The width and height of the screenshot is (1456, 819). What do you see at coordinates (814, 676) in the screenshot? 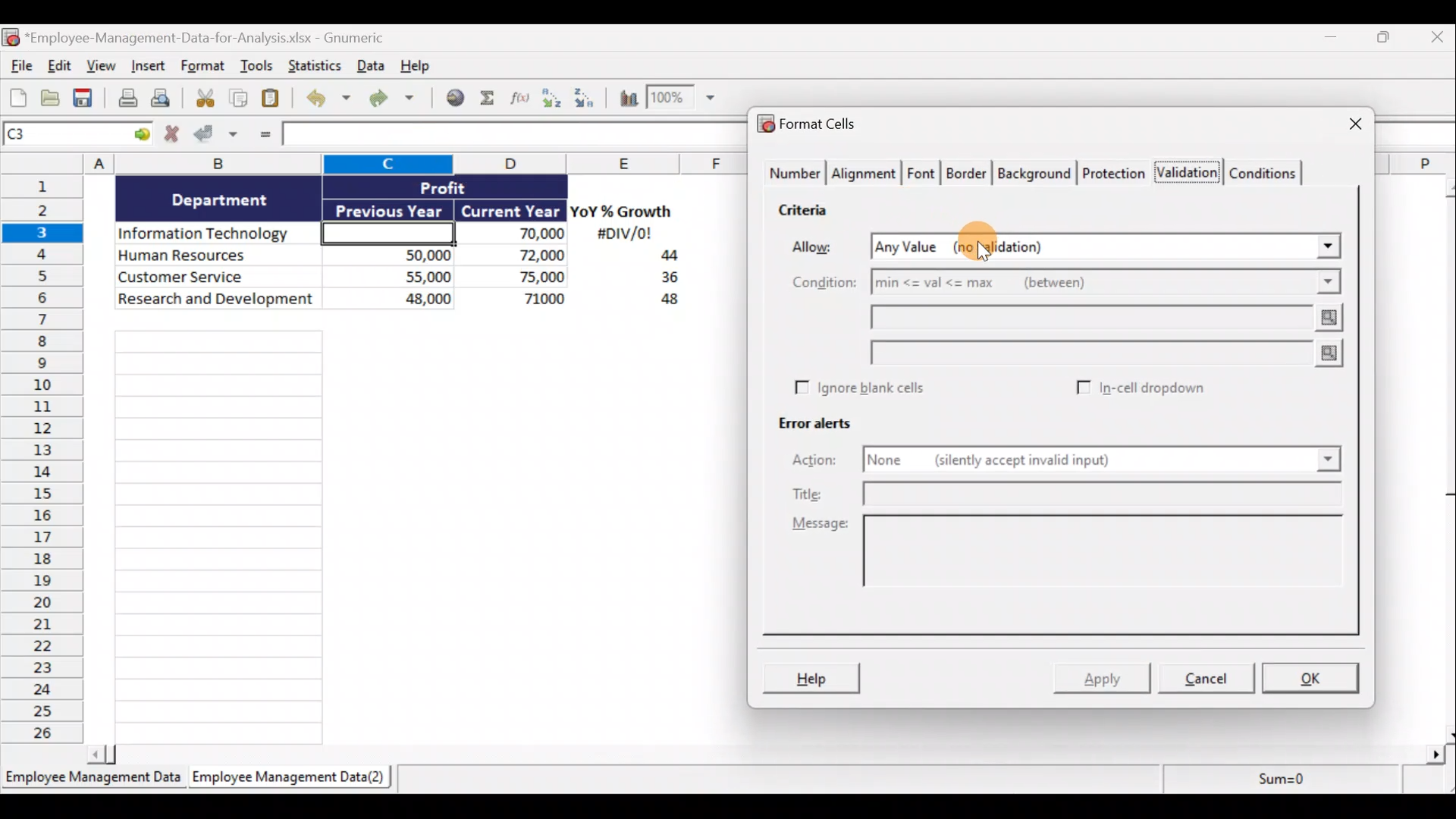
I see `Help` at bounding box center [814, 676].